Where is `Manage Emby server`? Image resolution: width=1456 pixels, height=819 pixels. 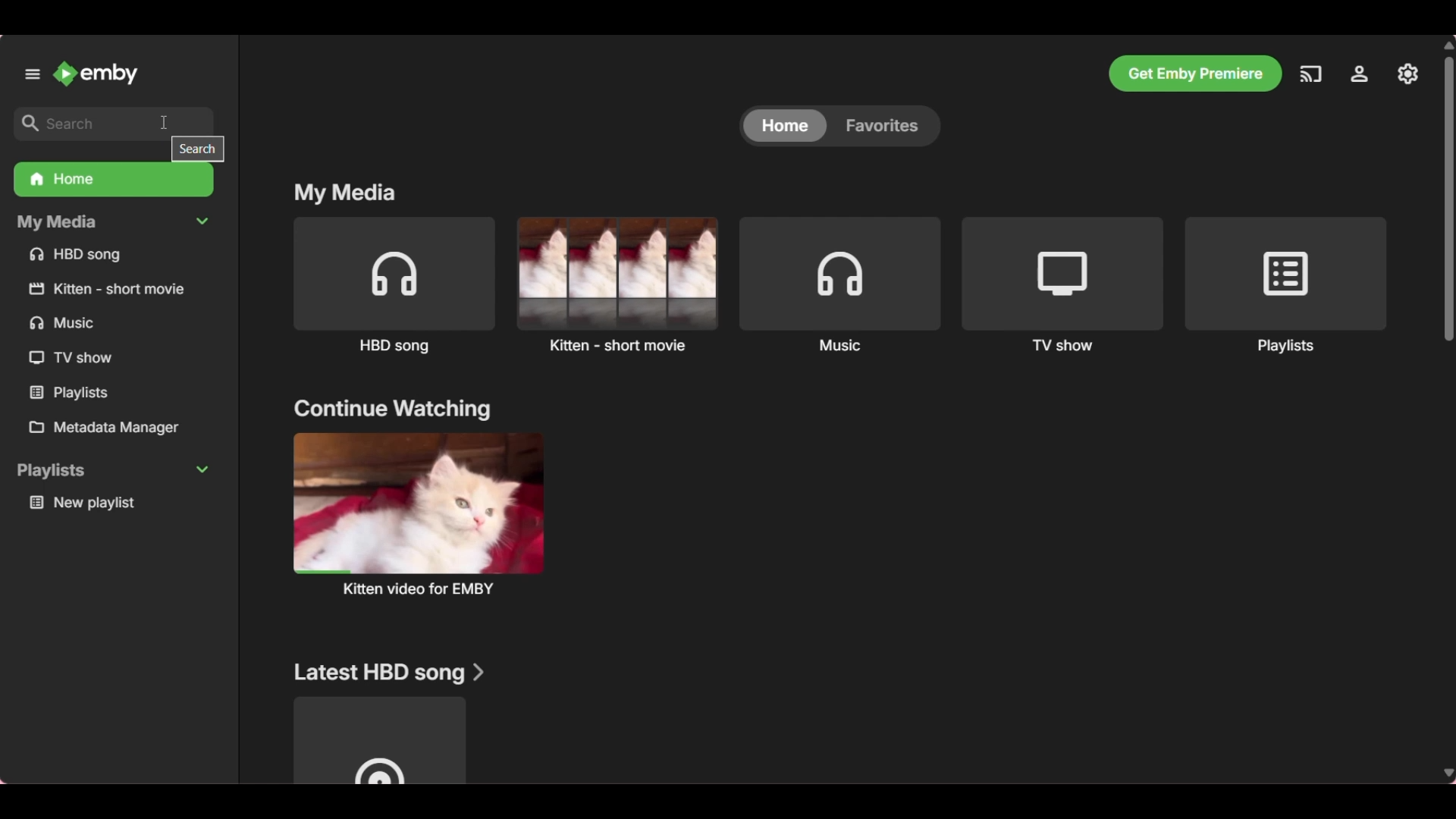 Manage Emby server is located at coordinates (1360, 78).